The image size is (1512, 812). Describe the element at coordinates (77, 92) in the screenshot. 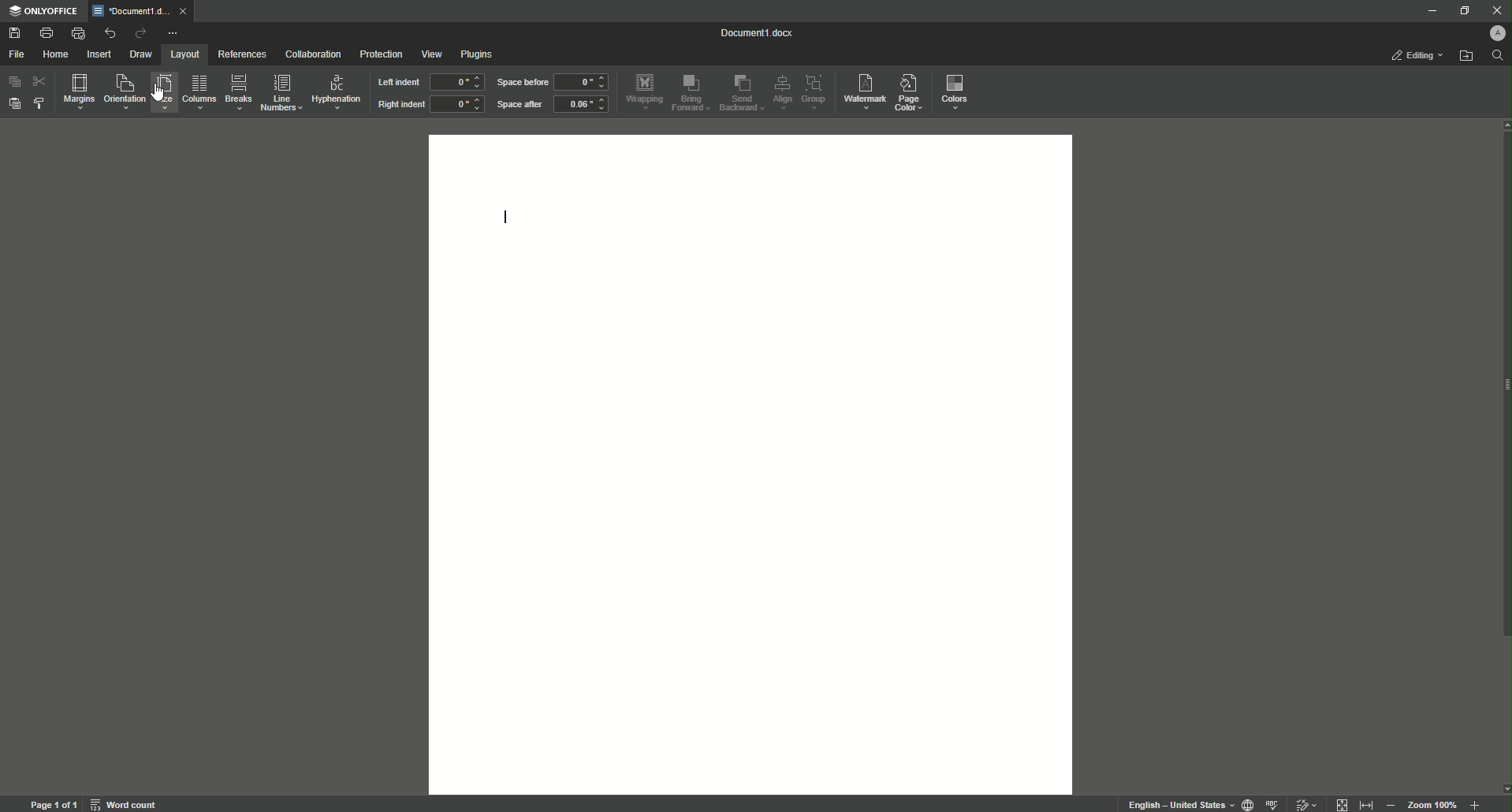

I see `Margins` at that location.